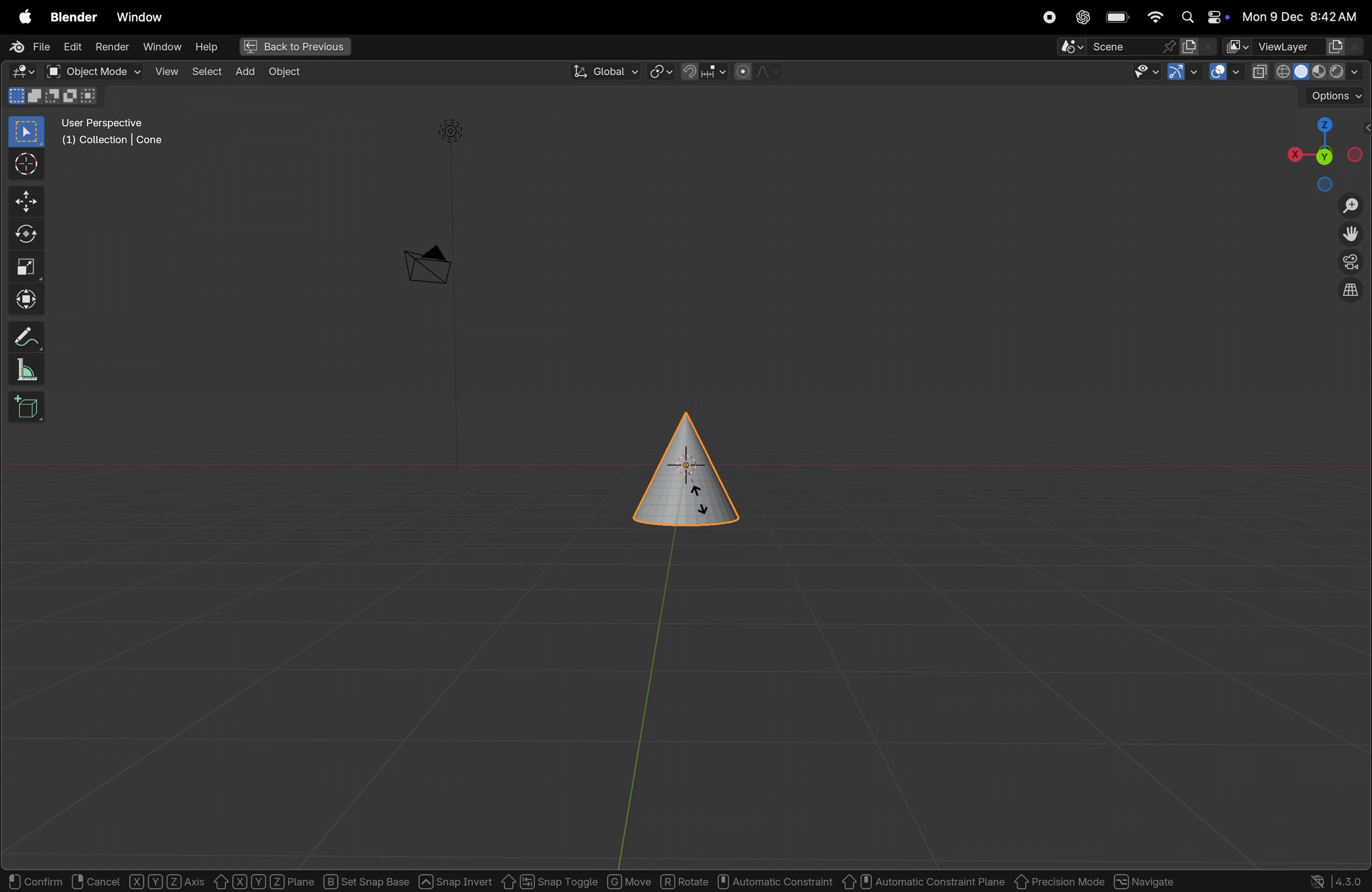 The width and height of the screenshot is (1372, 892). Describe the element at coordinates (27, 880) in the screenshot. I see `select` at that location.